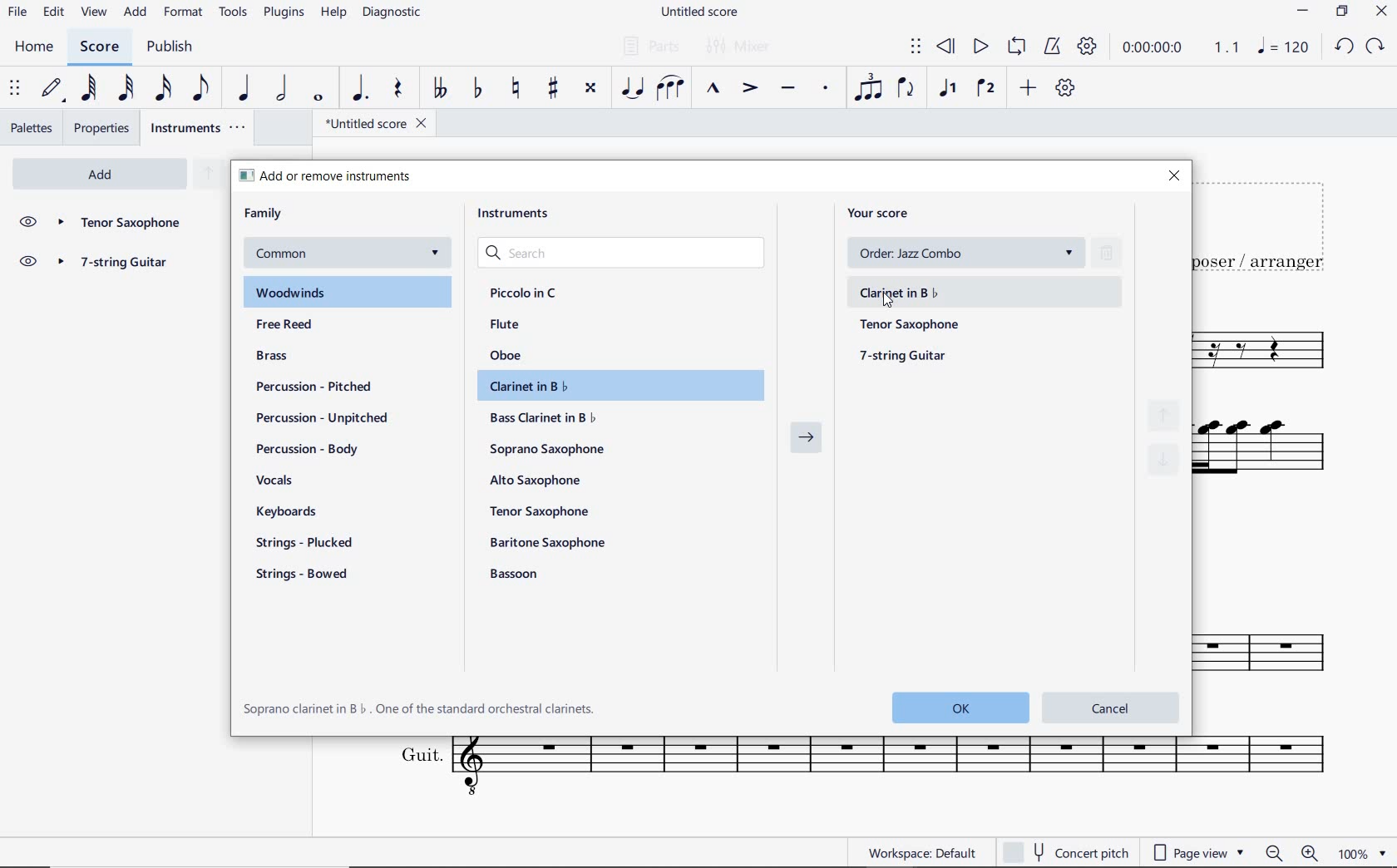 The image size is (1397, 868). What do you see at coordinates (988, 89) in the screenshot?
I see `VOICE 2` at bounding box center [988, 89].